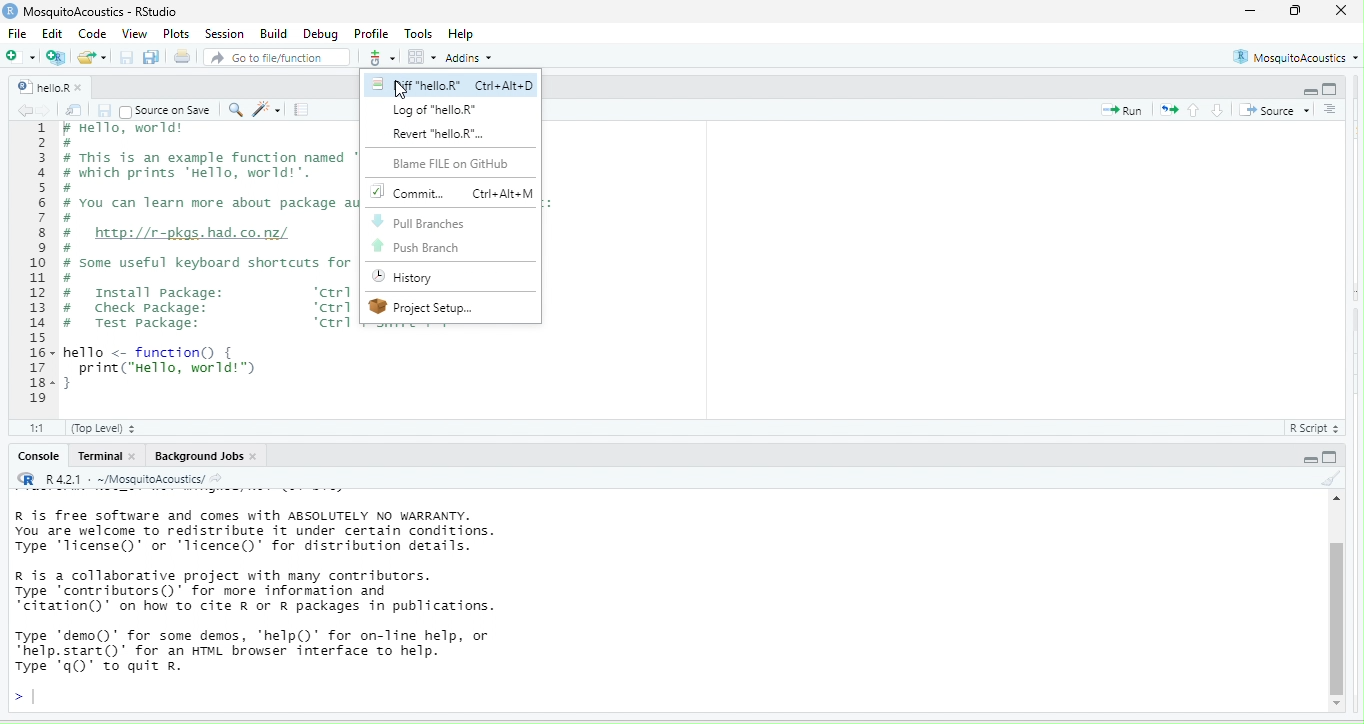 The width and height of the screenshot is (1364, 724). I want to click on # Pull Branches, so click(419, 221).